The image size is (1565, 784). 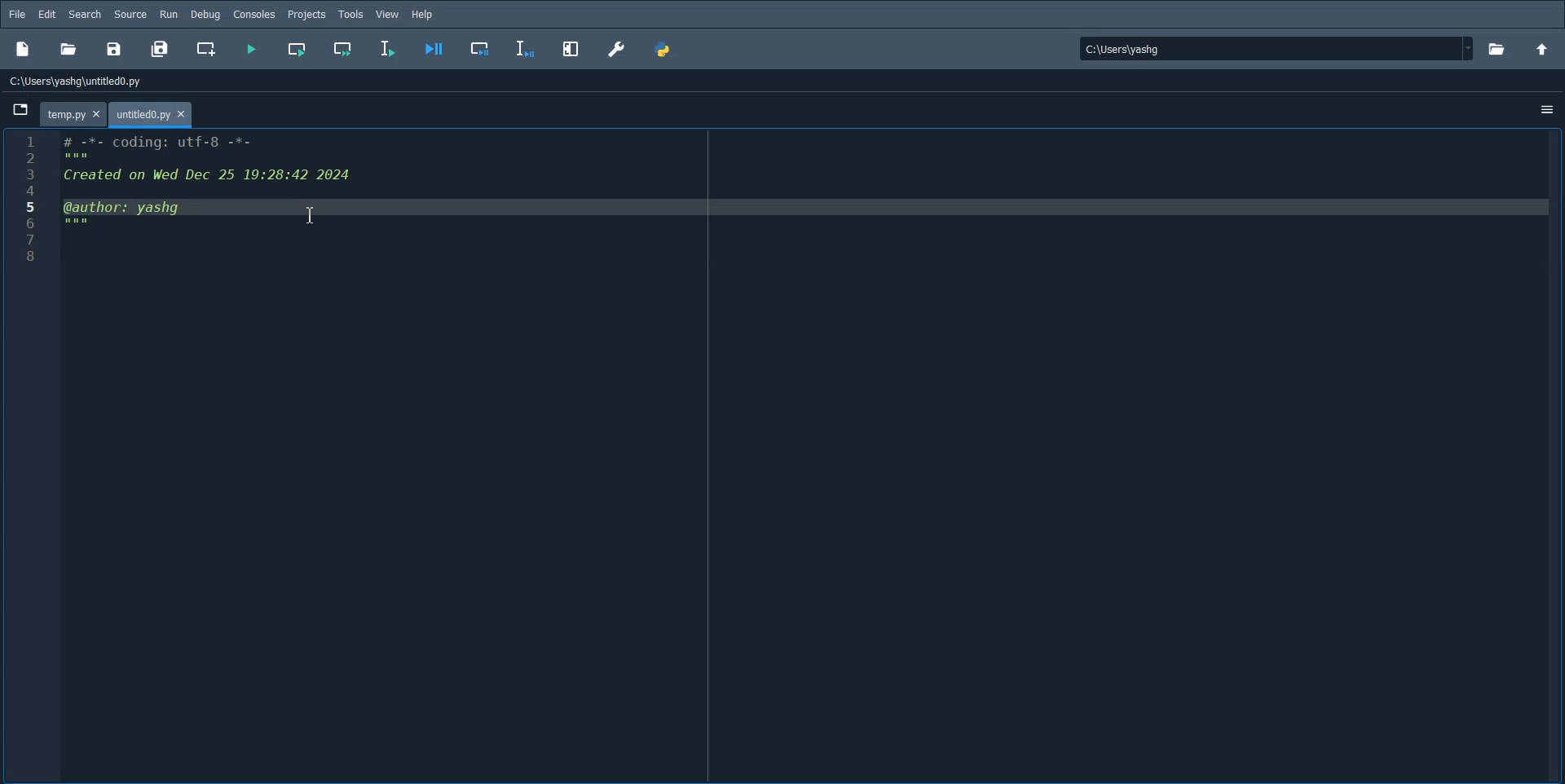 What do you see at coordinates (47, 15) in the screenshot?
I see `Edit` at bounding box center [47, 15].